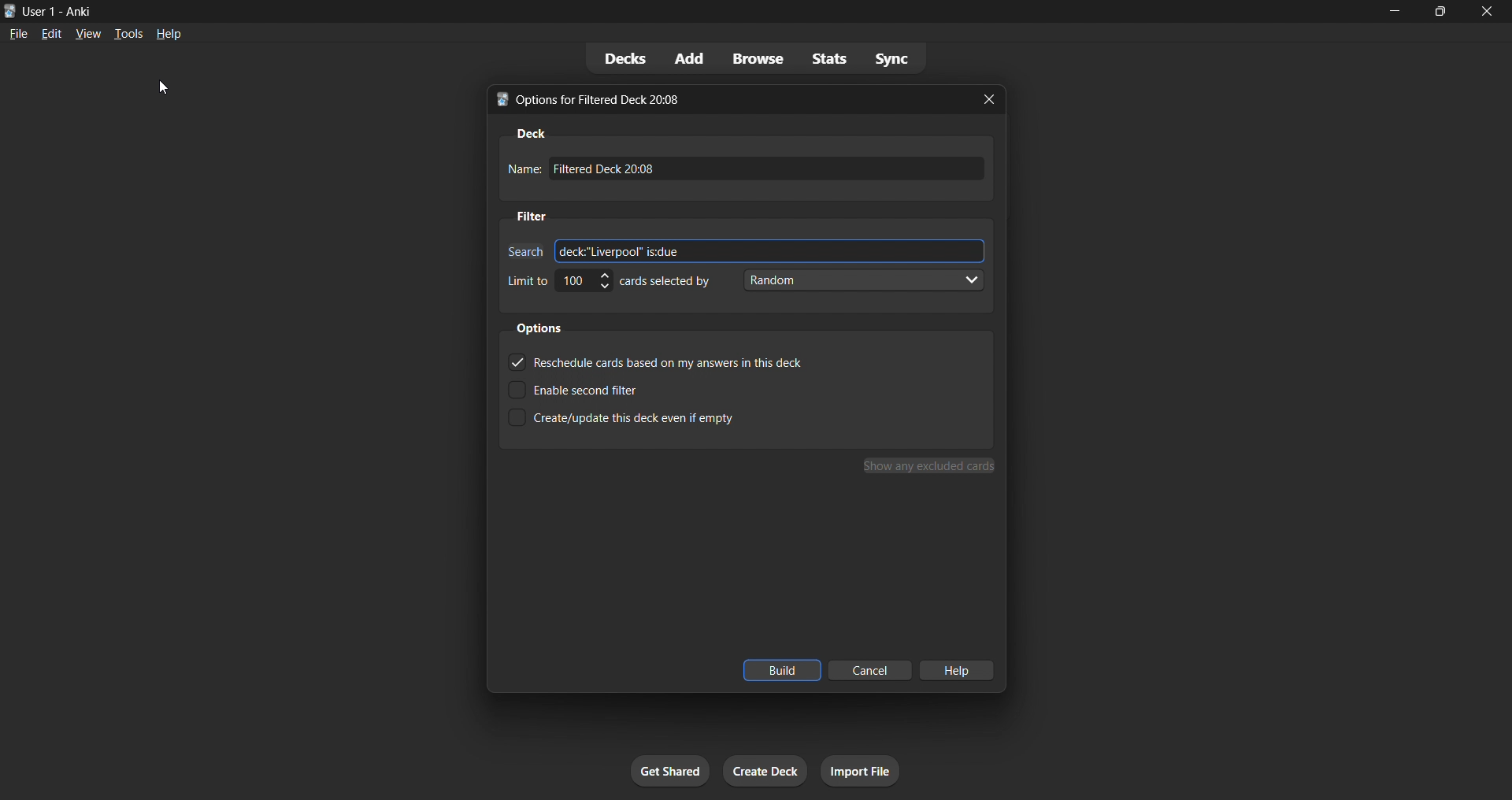  Describe the element at coordinates (665, 281) in the screenshot. I see `cards selected by` at that location.